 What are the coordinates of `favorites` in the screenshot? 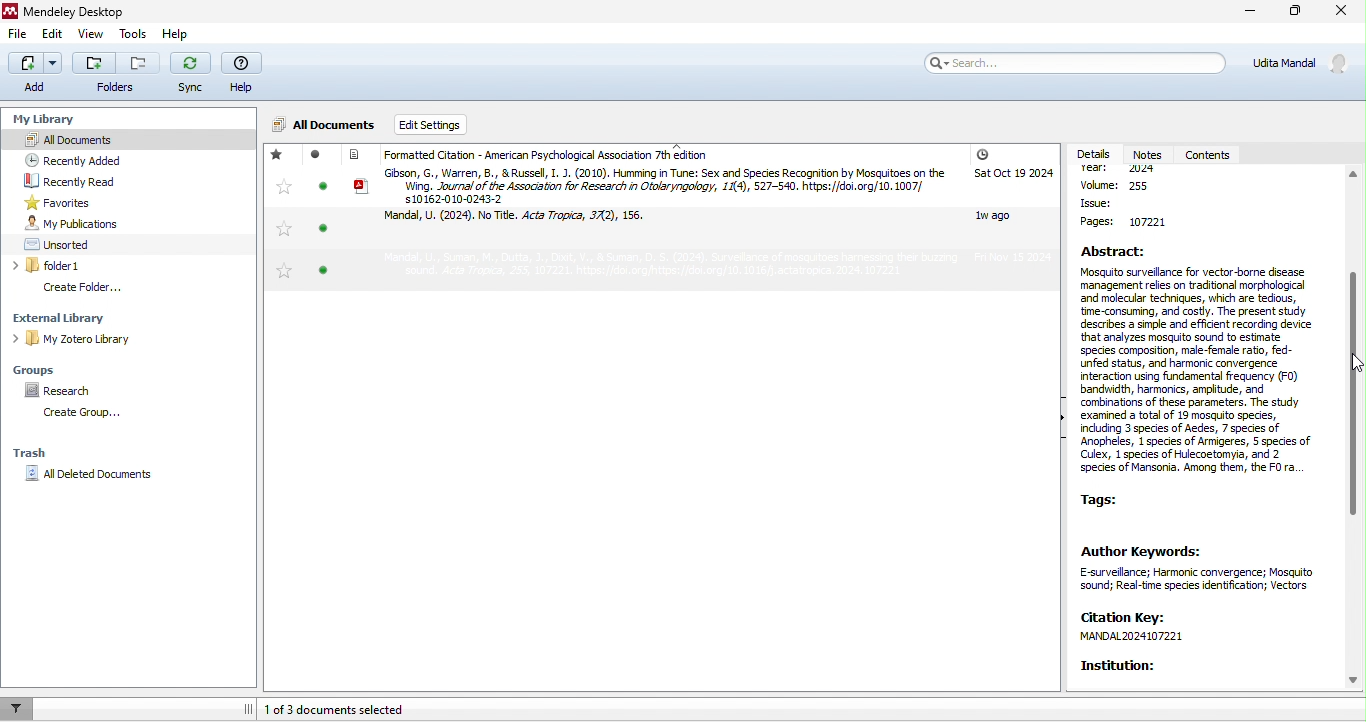 It's located at (59, 202).